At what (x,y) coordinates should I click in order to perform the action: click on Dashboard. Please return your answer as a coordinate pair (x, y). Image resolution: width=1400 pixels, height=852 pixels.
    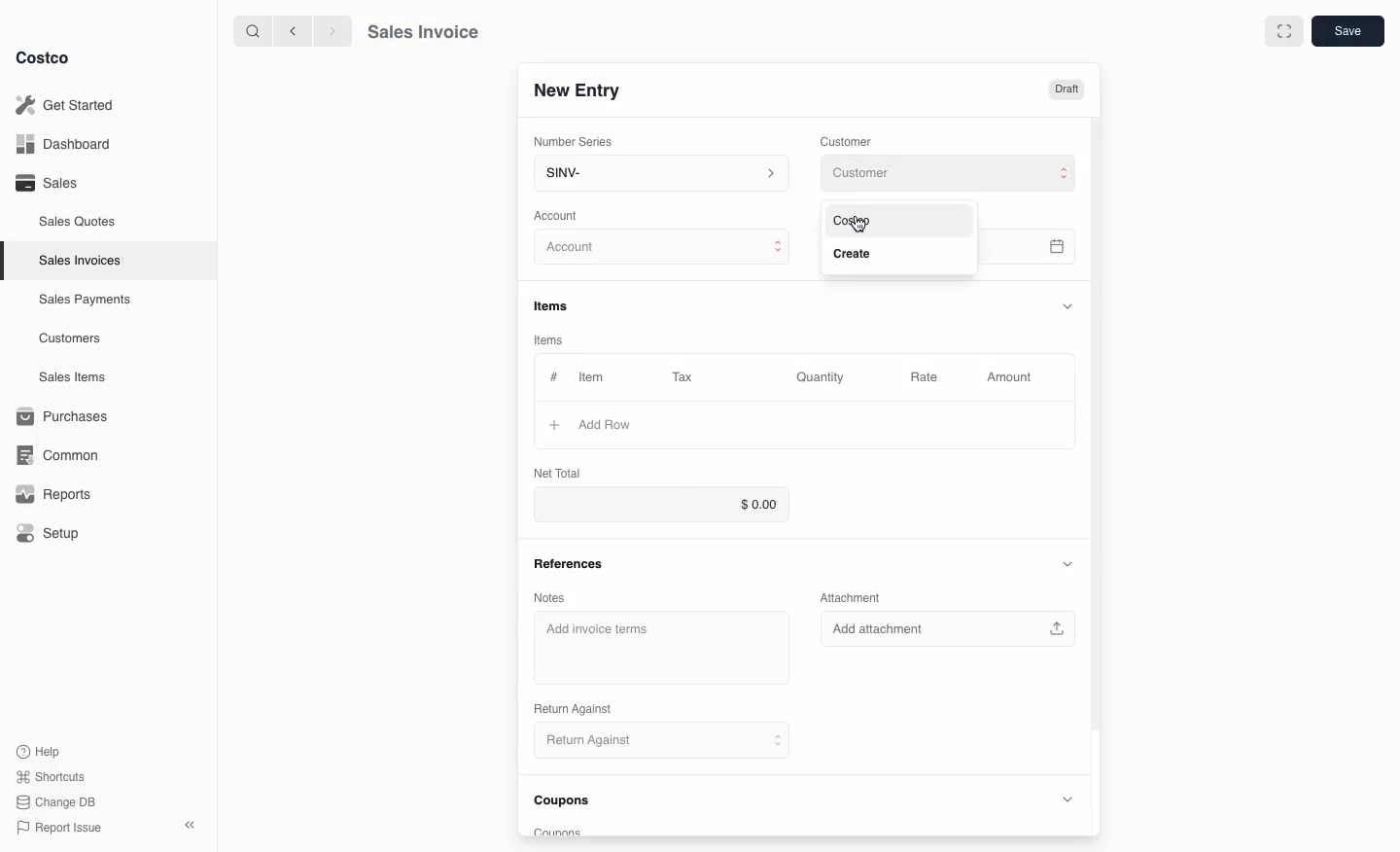
    Looking at the image, I should click on (68, 145).